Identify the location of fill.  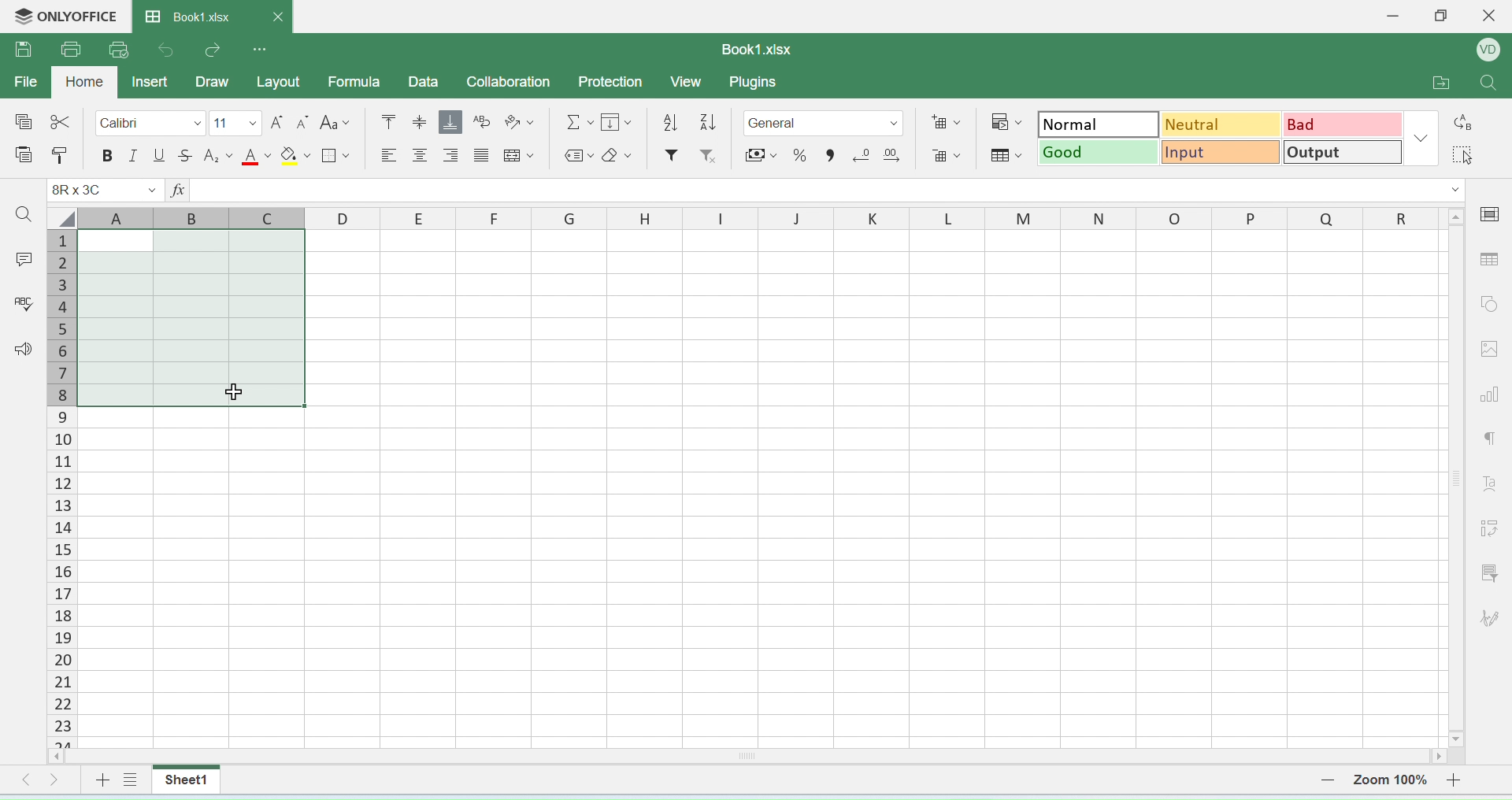
(621, 124).